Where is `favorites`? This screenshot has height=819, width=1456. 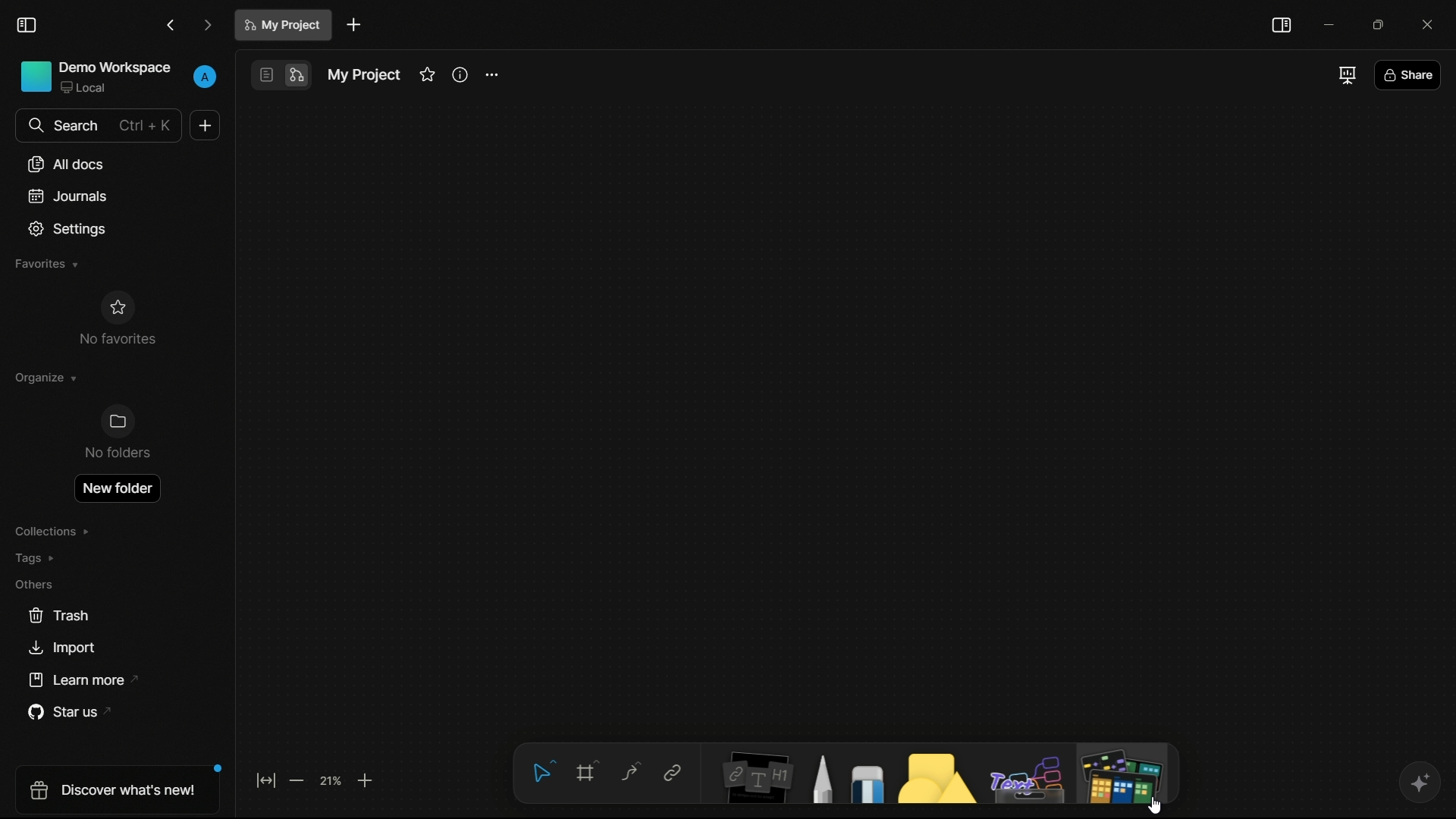 favorites is located at coordinates (46, 265).